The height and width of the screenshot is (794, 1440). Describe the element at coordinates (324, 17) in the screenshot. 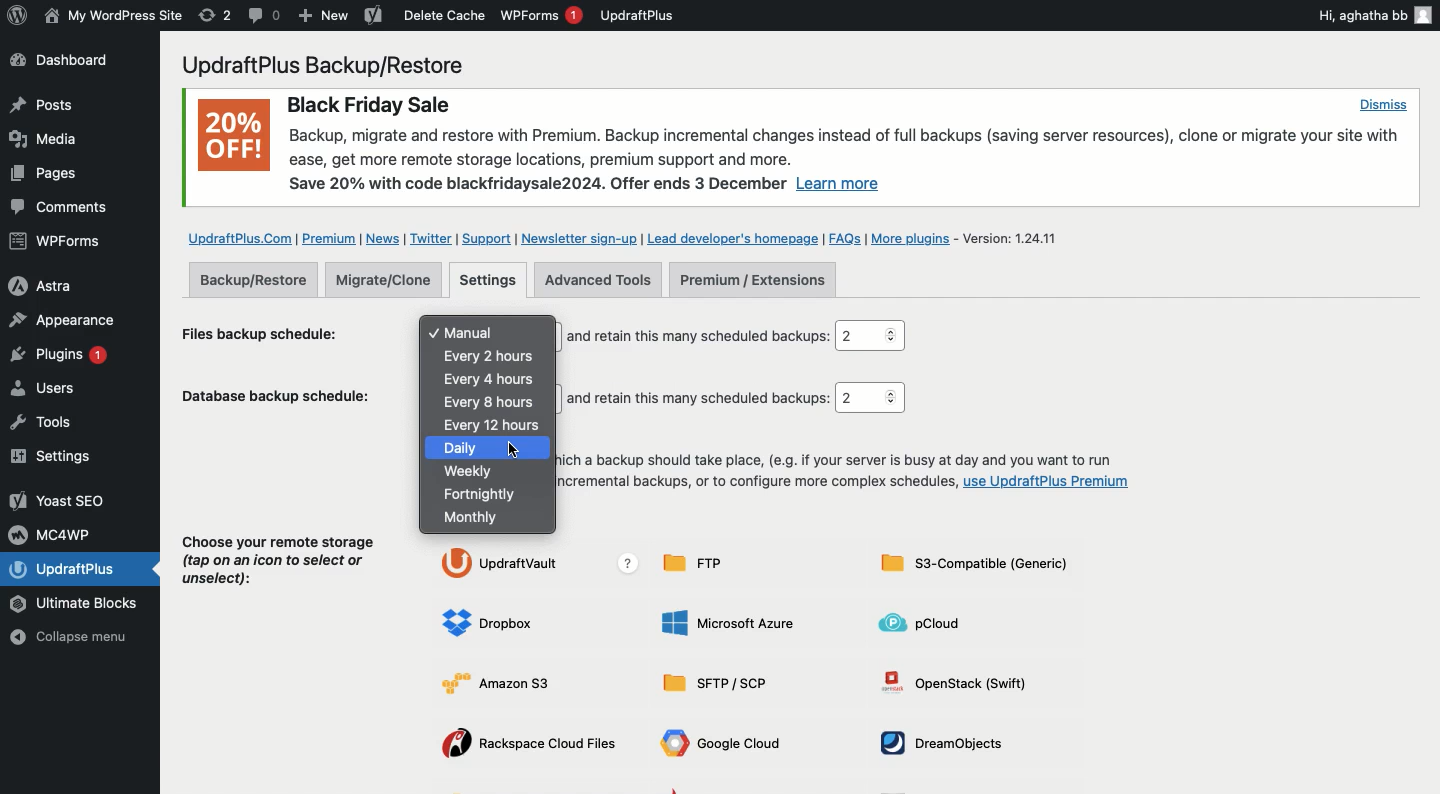

I see `New` at that location.